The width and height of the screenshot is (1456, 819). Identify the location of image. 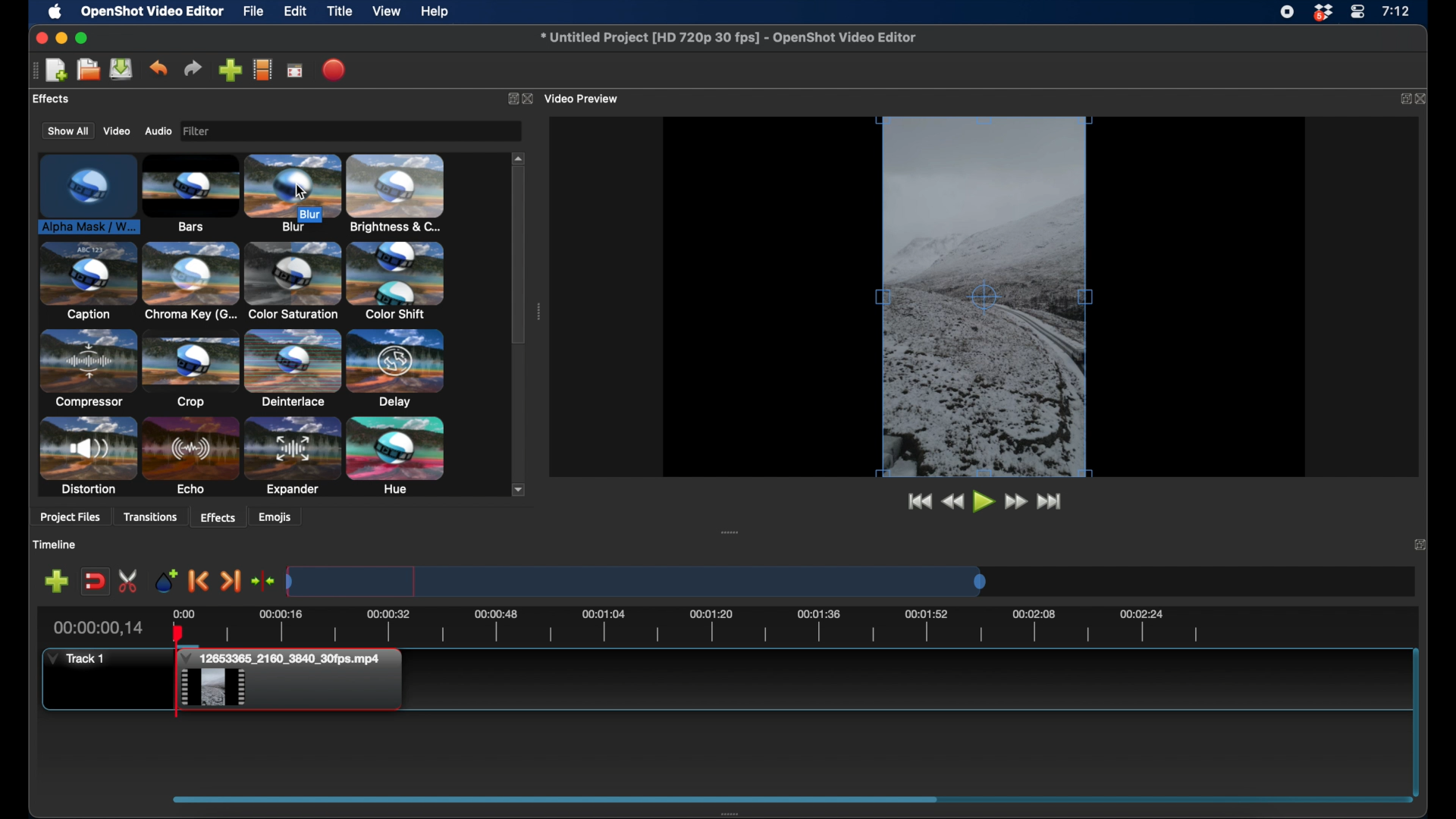
(200, 132).